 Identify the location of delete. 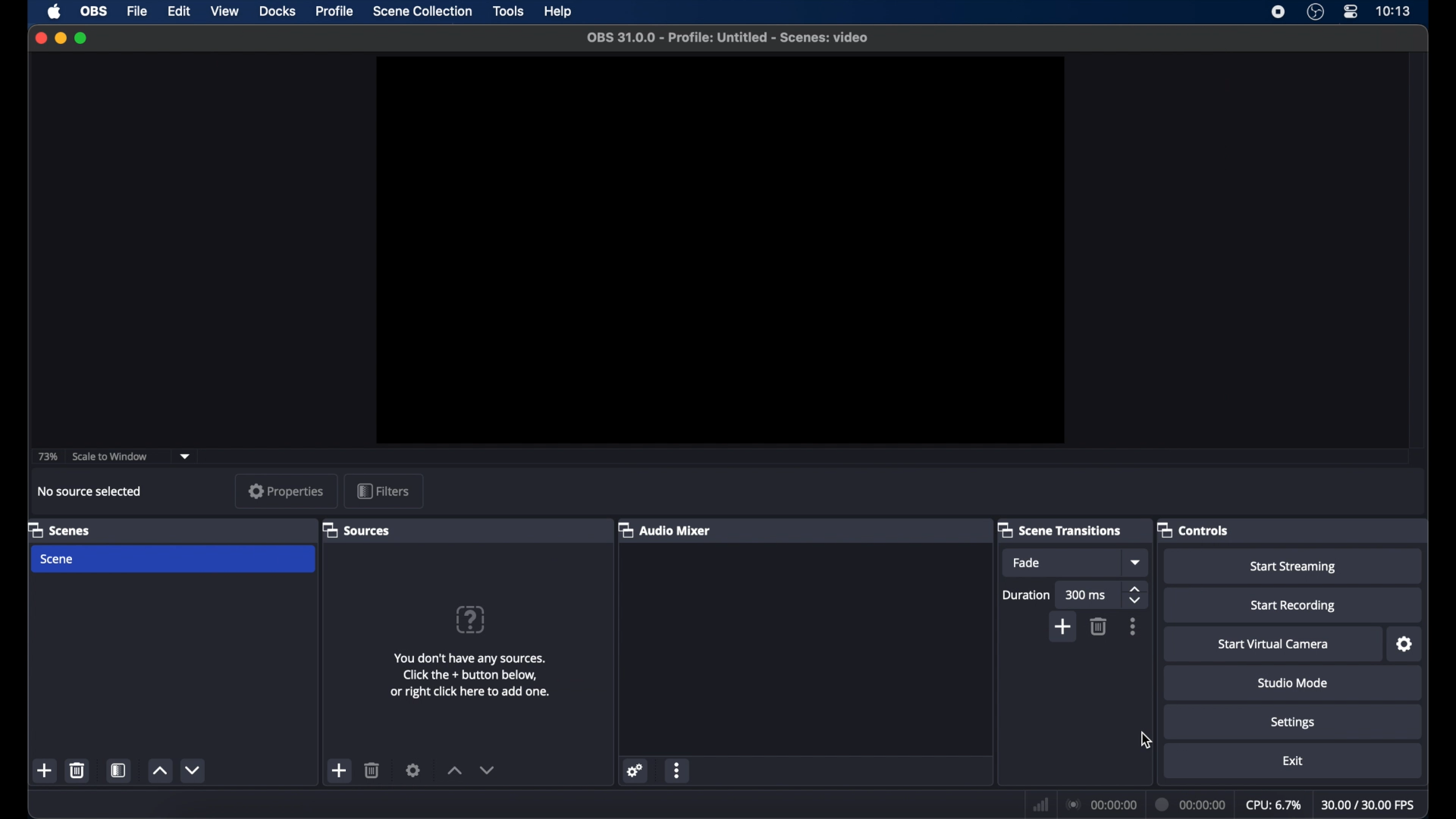
(372, 770).